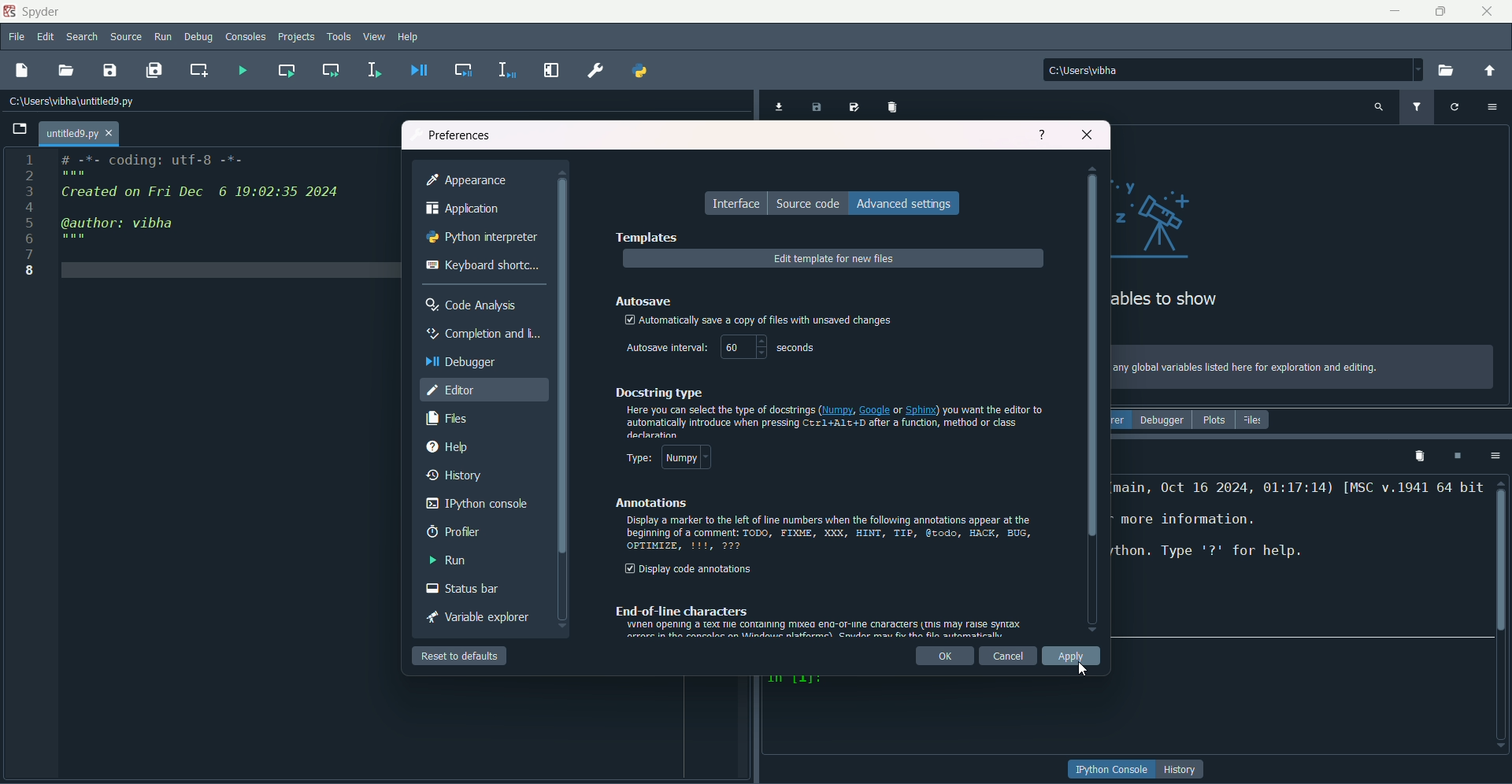  I want to click on ipython console, so click(478, 504).